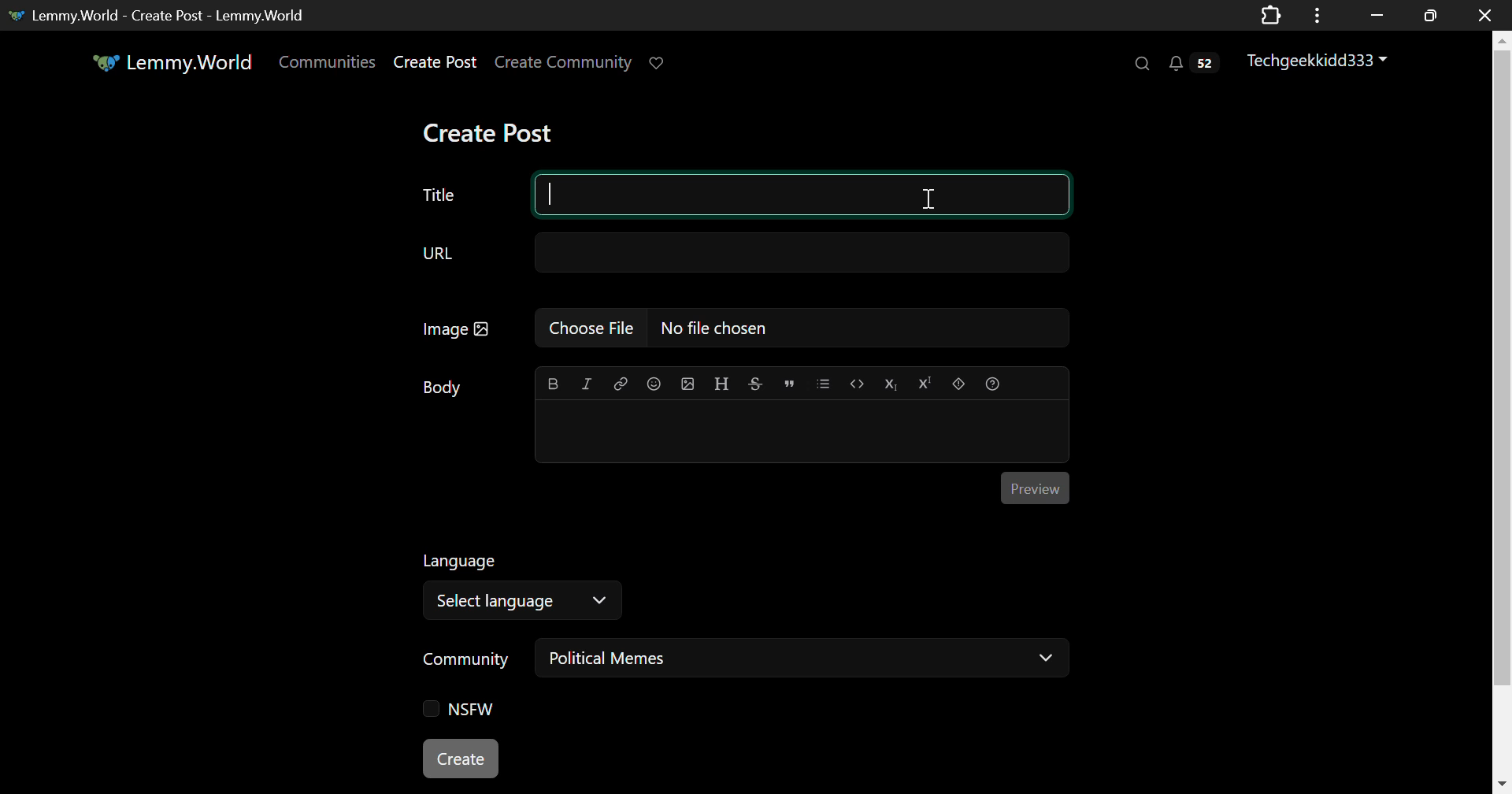 This screenshot has width=1512, height=794. What do you see at coordinates (169, 15) in the screenshot?
I see `Lemmy.World - Create Post - Lemmy.World` at bounding box center [169, 15].